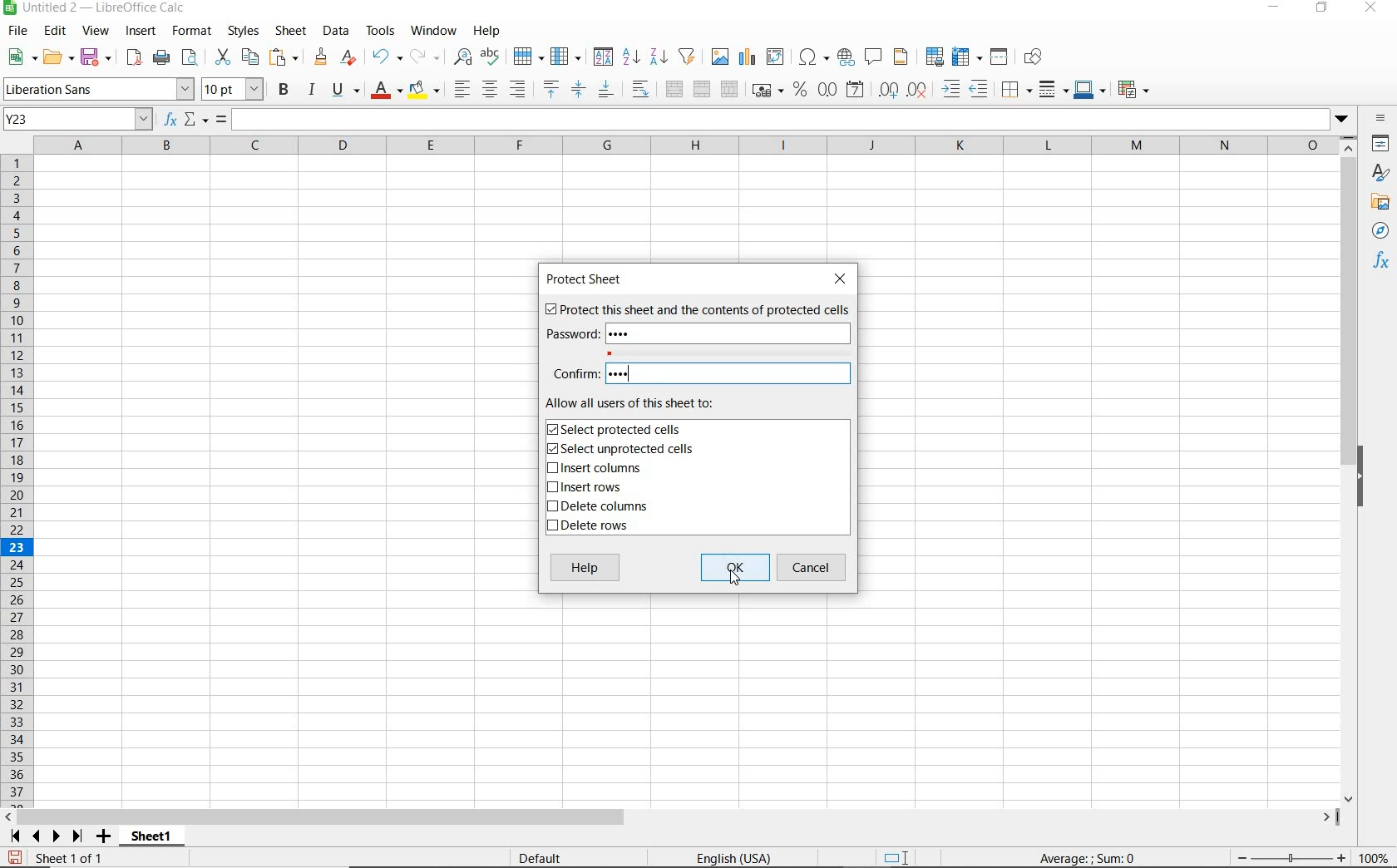  What do you see at coordinates (794, 120) in the screenshot?
I see `EXPAND FORMULA BAR` at bounding box center [794, 120].